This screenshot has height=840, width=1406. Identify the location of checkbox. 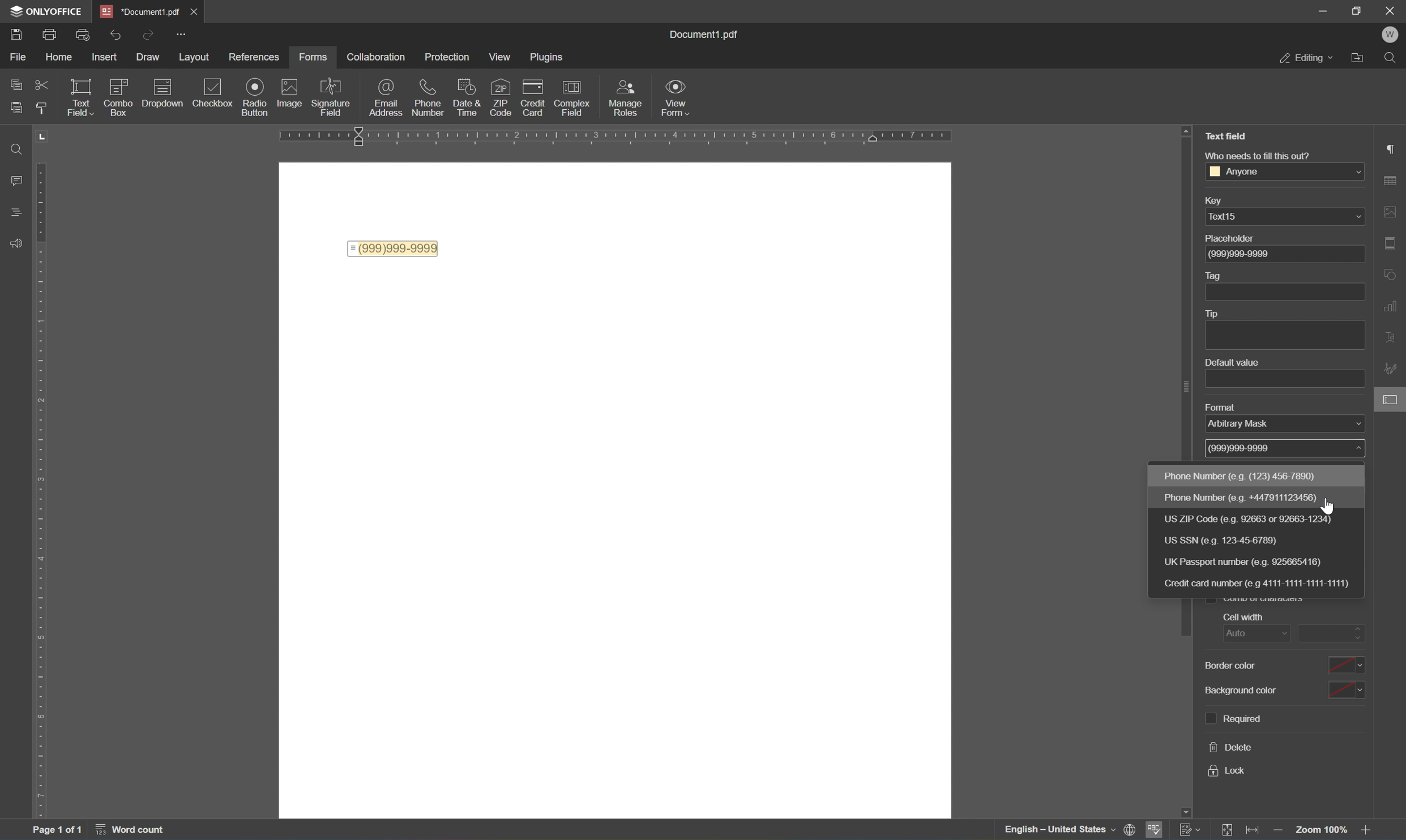
(119, 95).